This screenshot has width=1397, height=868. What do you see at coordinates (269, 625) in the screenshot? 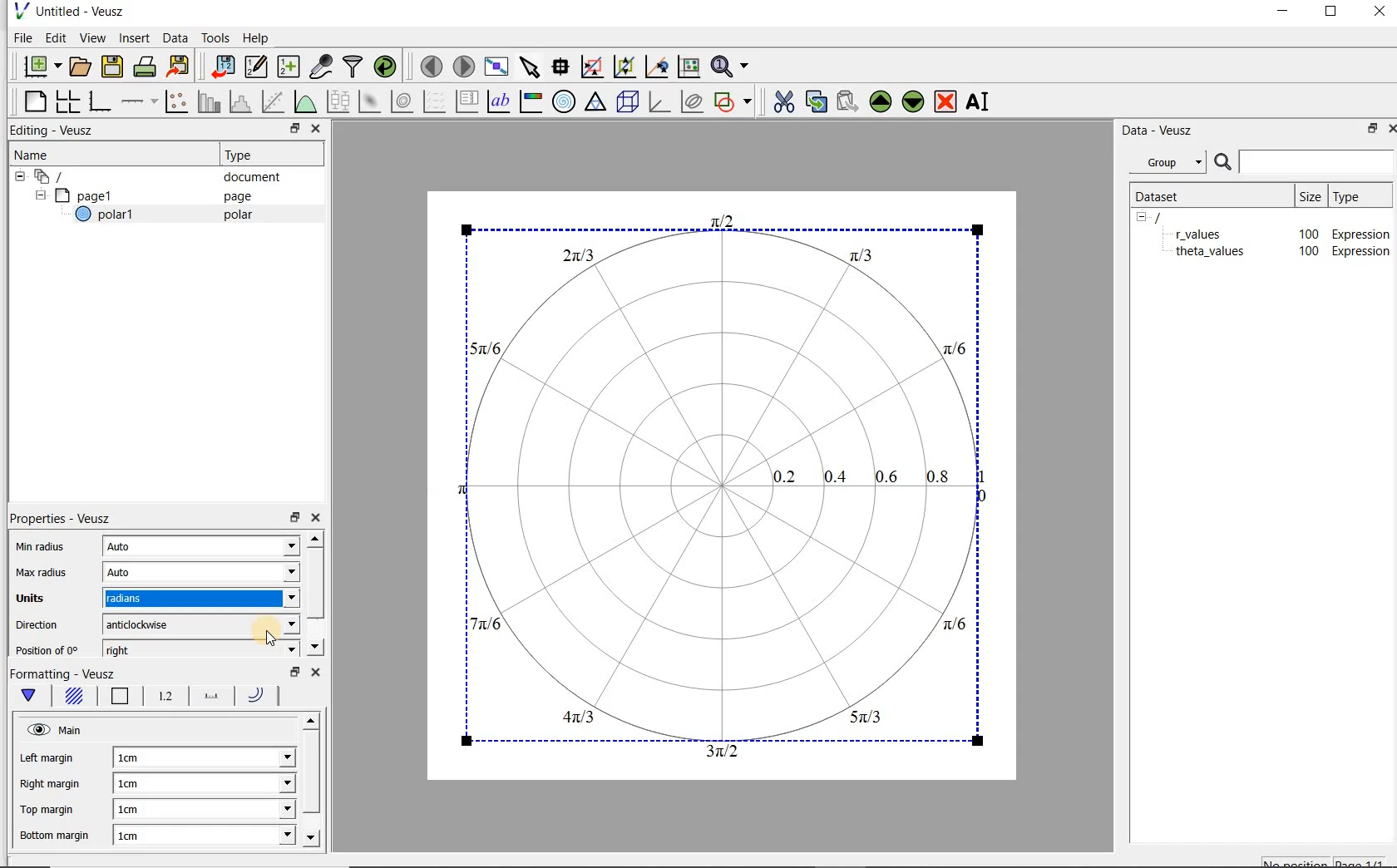
I see `direction dropdown` at bounding box center [269, 625].